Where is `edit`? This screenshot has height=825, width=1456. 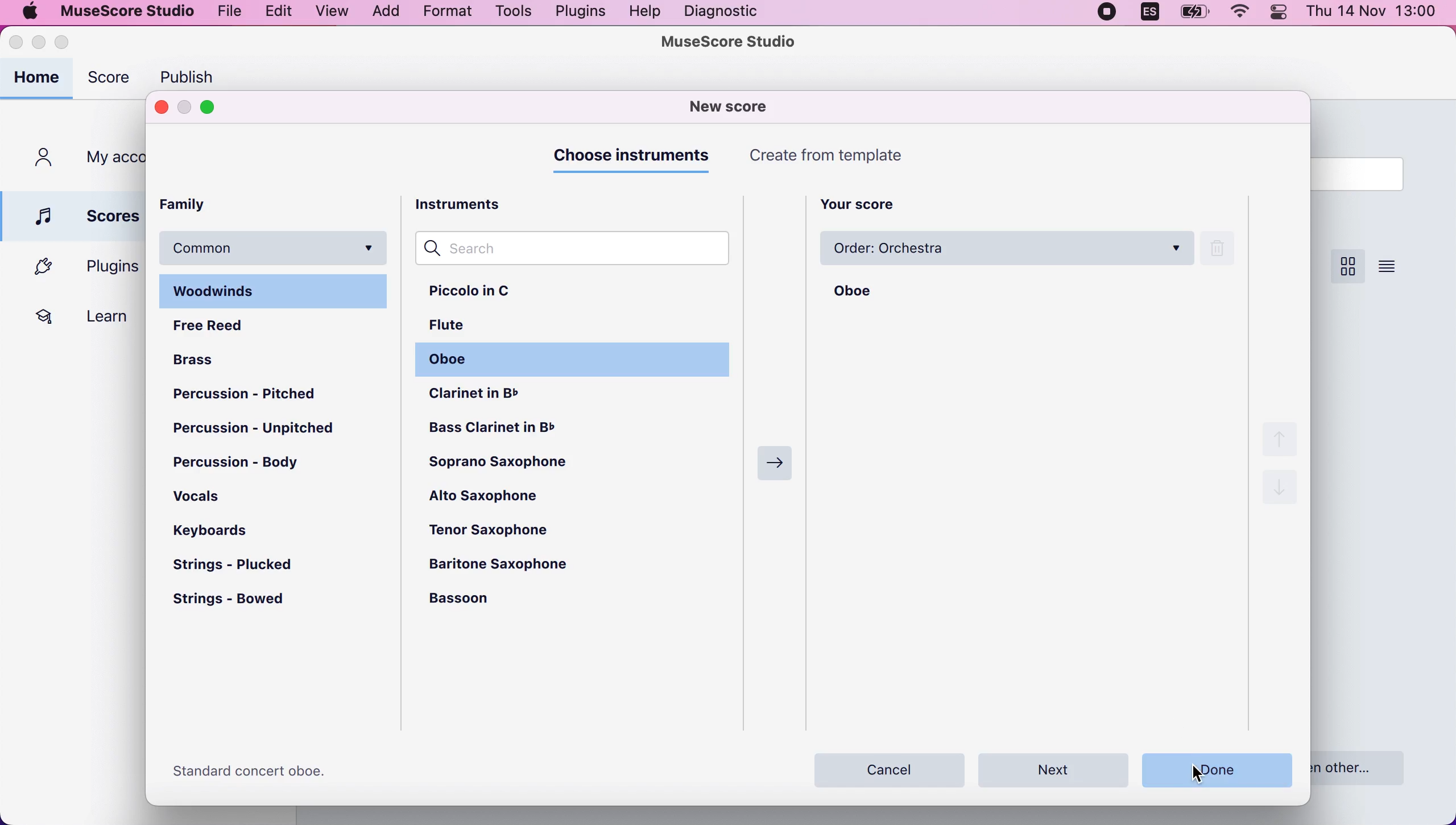
edit is located at coordinates (279, 13).